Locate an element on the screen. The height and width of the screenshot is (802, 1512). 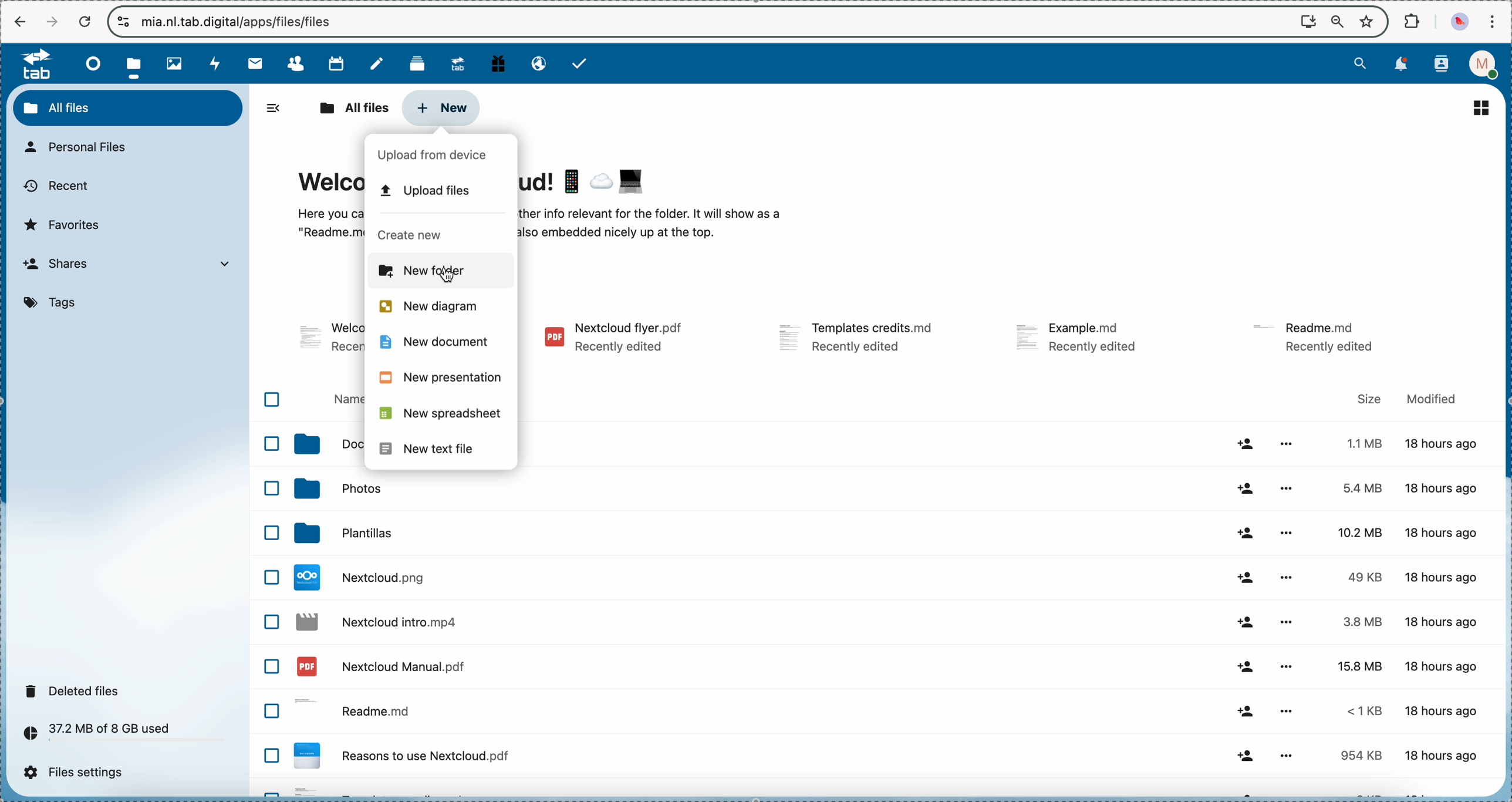
tasks is located at coordinates (581, 63).